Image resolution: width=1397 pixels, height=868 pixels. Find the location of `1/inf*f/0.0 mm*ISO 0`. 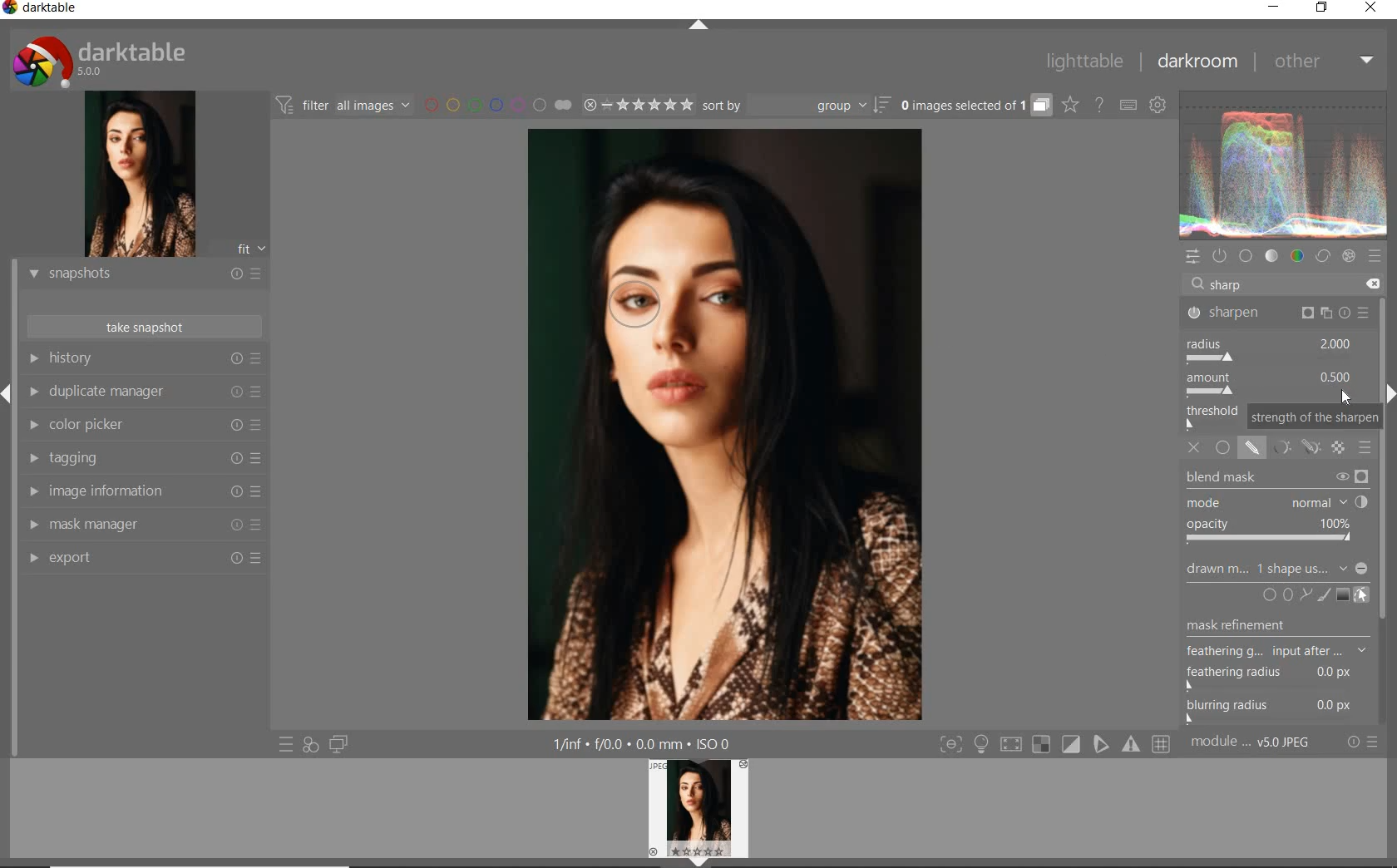

1/inf*f/0.0 mm*ISO 0 is located at coordinates (644, 743).